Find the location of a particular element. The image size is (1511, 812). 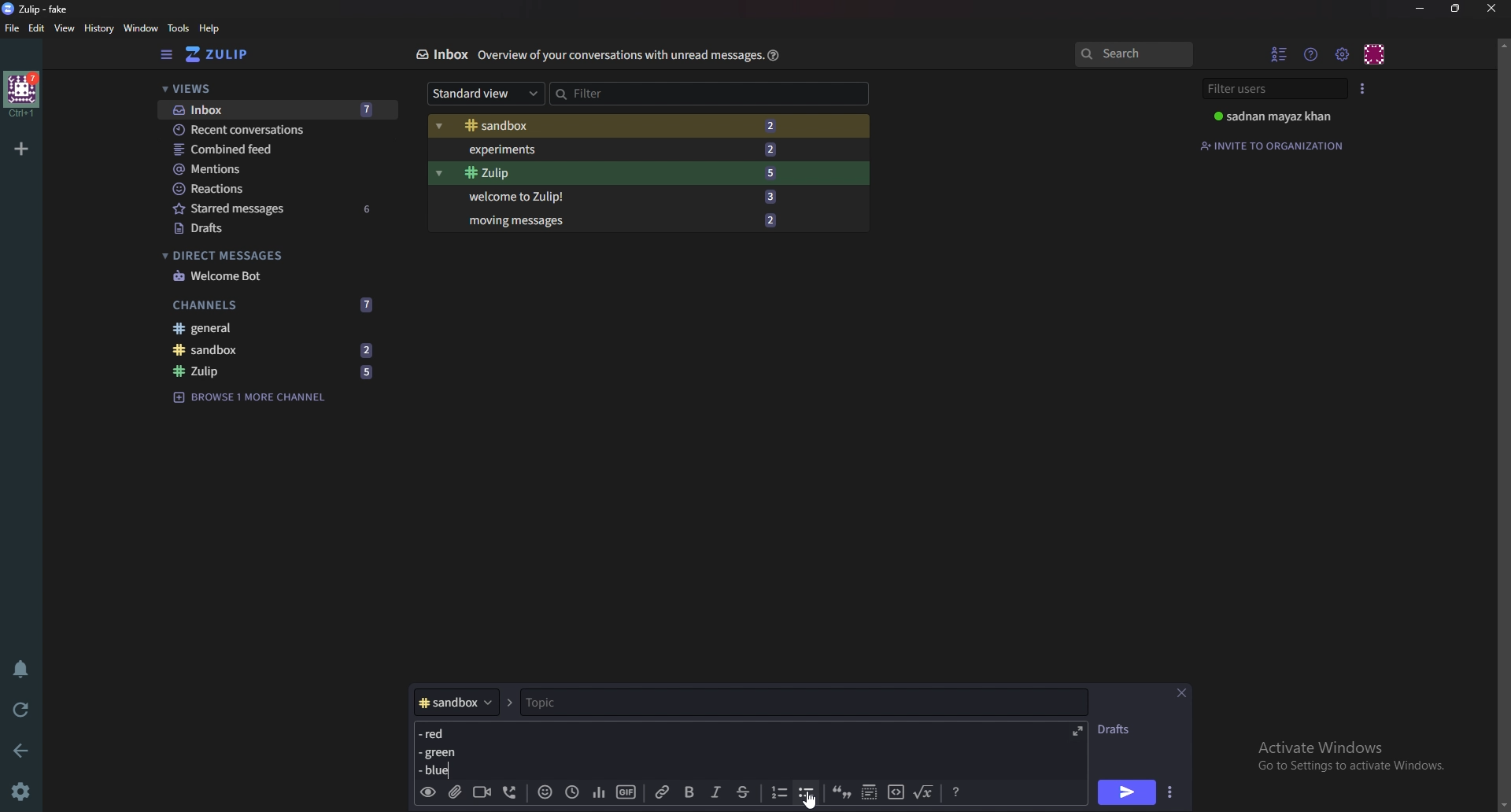

Moving messages is located at coordinates (621, 219).